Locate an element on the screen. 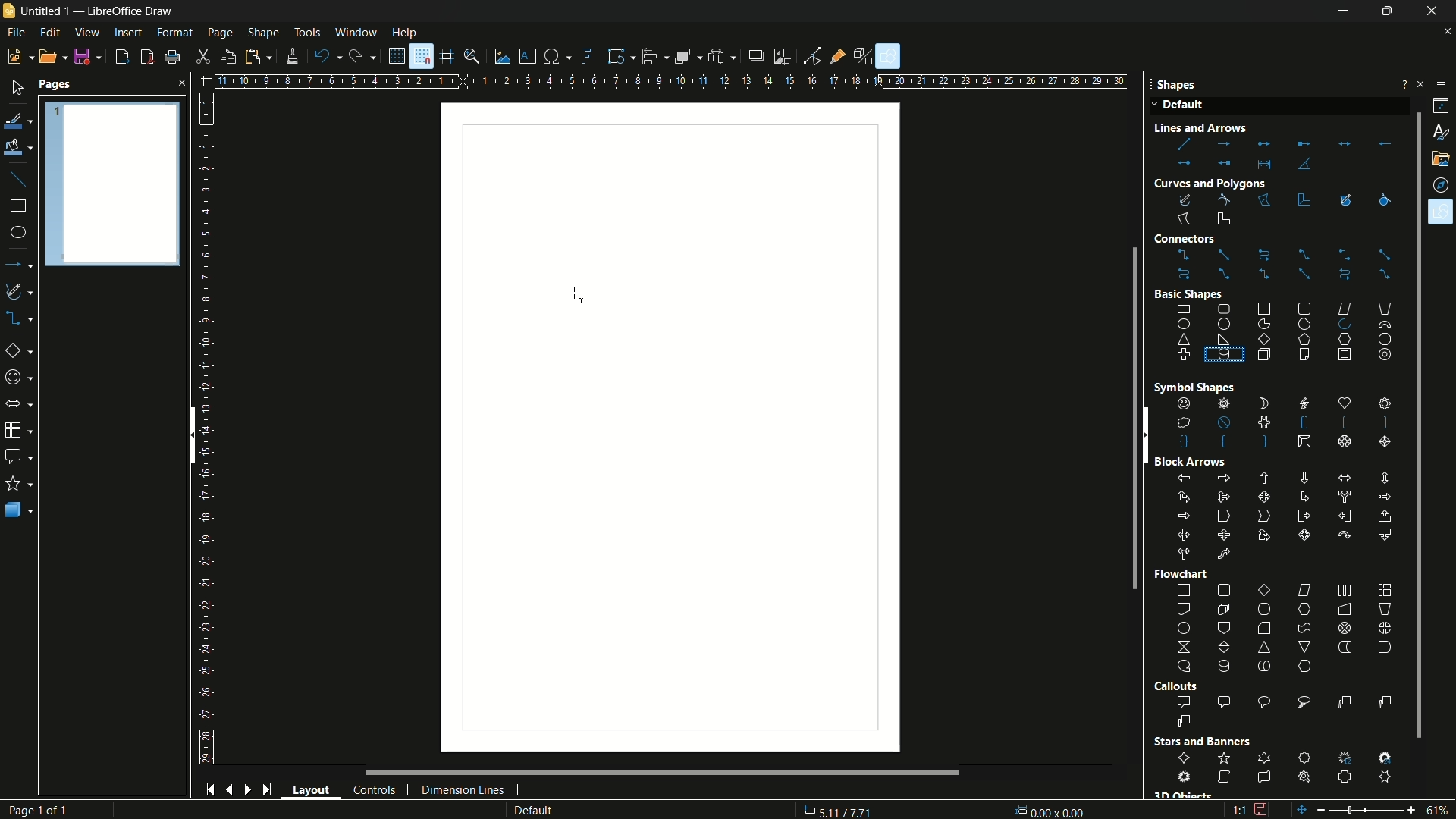 This screenshot has width=1456, height=819. Symbol Shape is located at coordinates (1195, 386).